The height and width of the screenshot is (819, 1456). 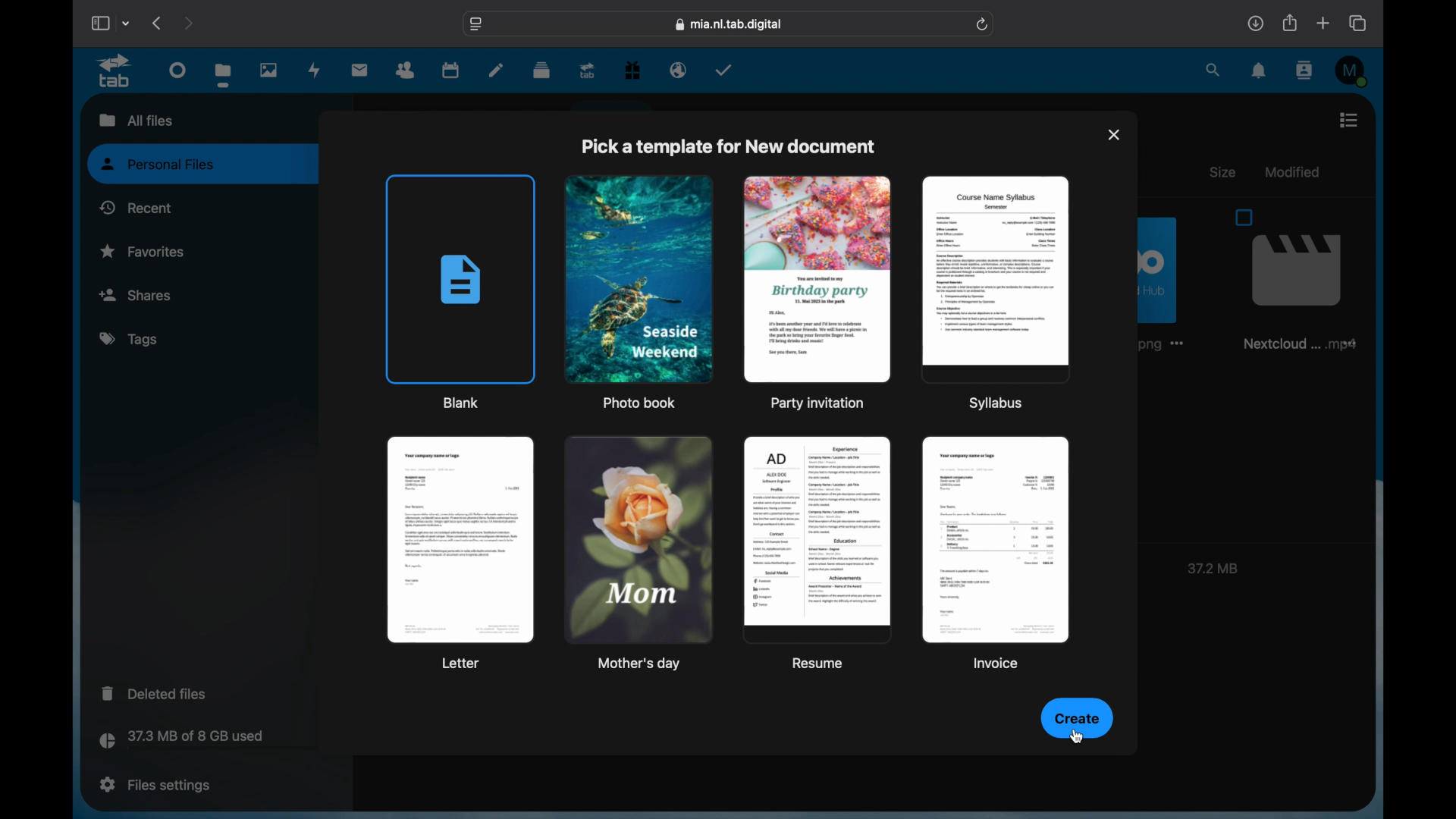 I want to click on close, so click(x=1114, y=135).